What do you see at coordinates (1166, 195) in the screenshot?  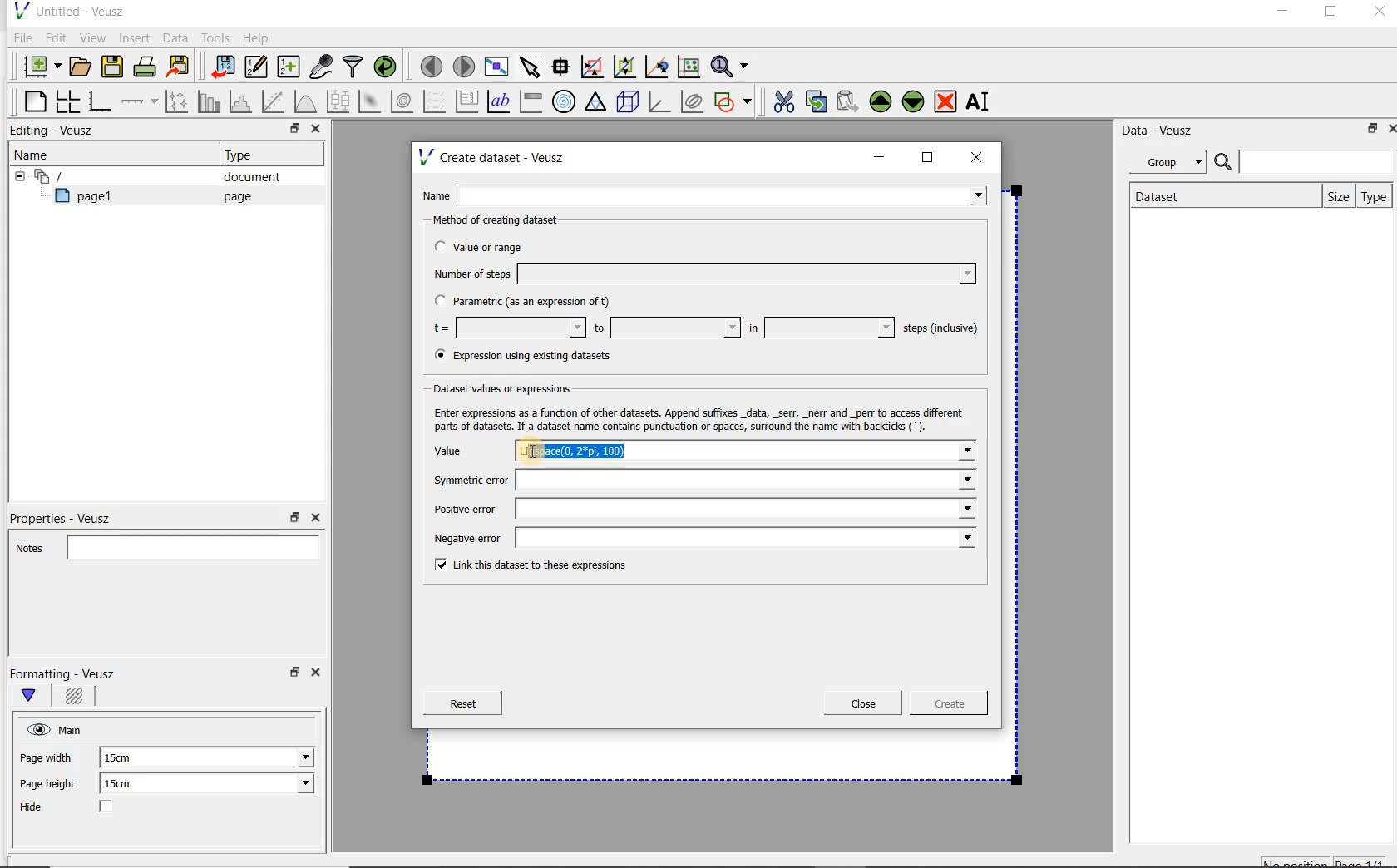 I see `Dataset` at bounding box center [1166, 195].